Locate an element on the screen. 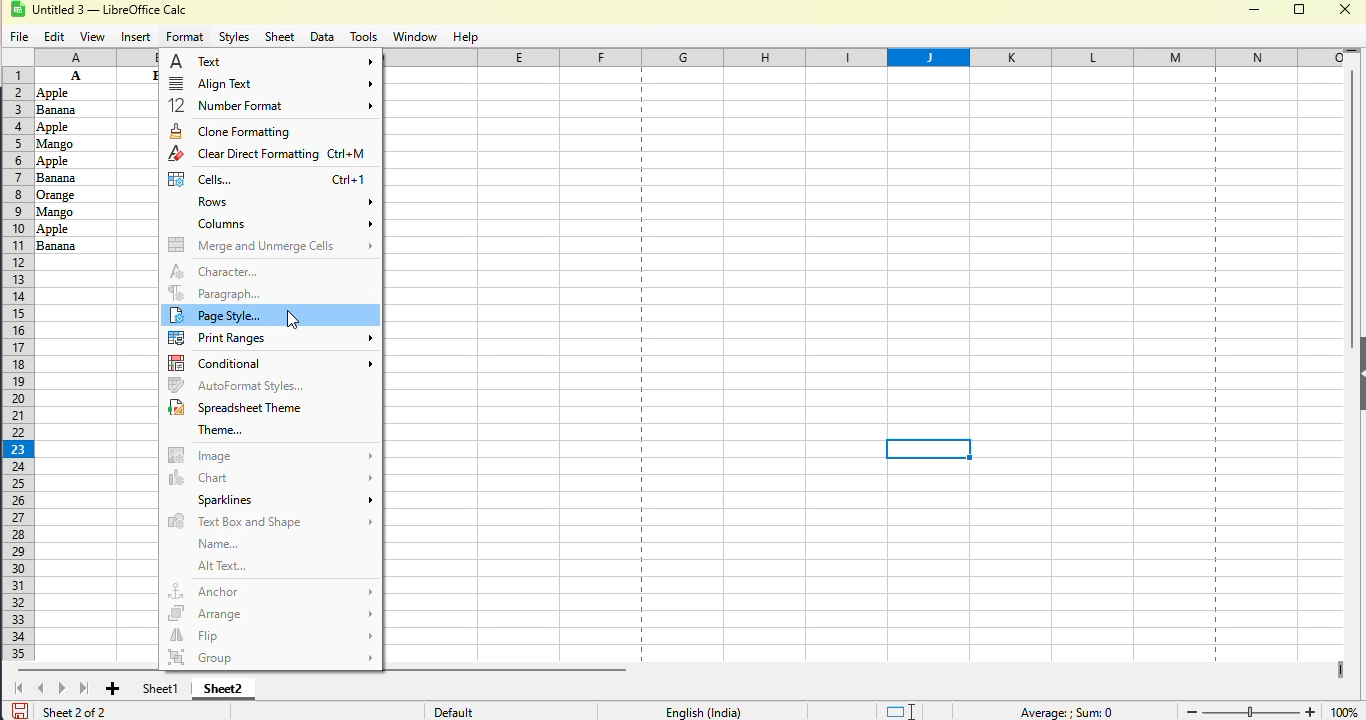 The image size is (1366, 720). active cell is located at coordinates (929, 449).